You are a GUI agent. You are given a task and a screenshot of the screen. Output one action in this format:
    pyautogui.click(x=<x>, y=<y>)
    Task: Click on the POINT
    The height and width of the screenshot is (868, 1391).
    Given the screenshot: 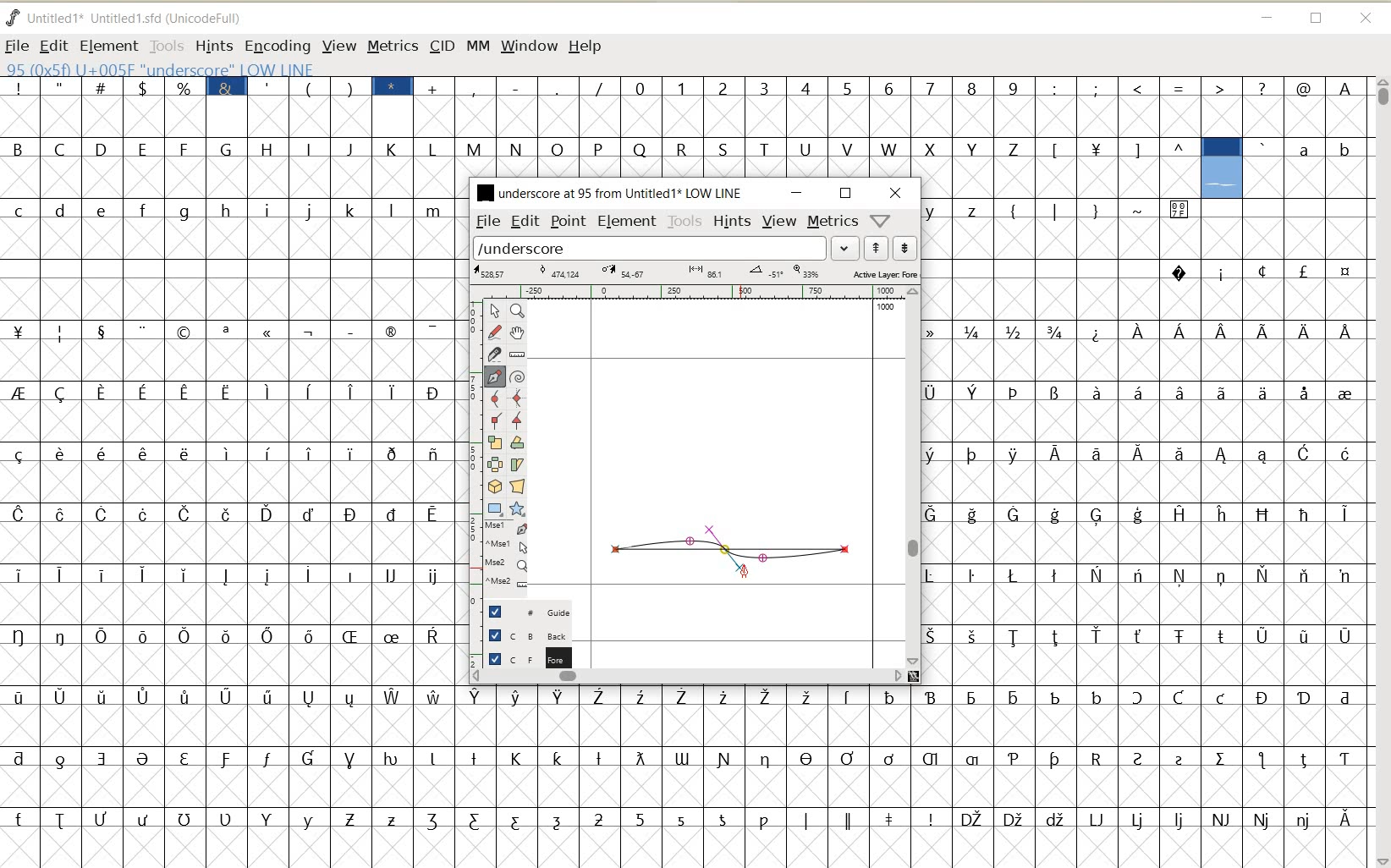 What is the action you would take?
    pyautogui.click(x=569, y=223)
    